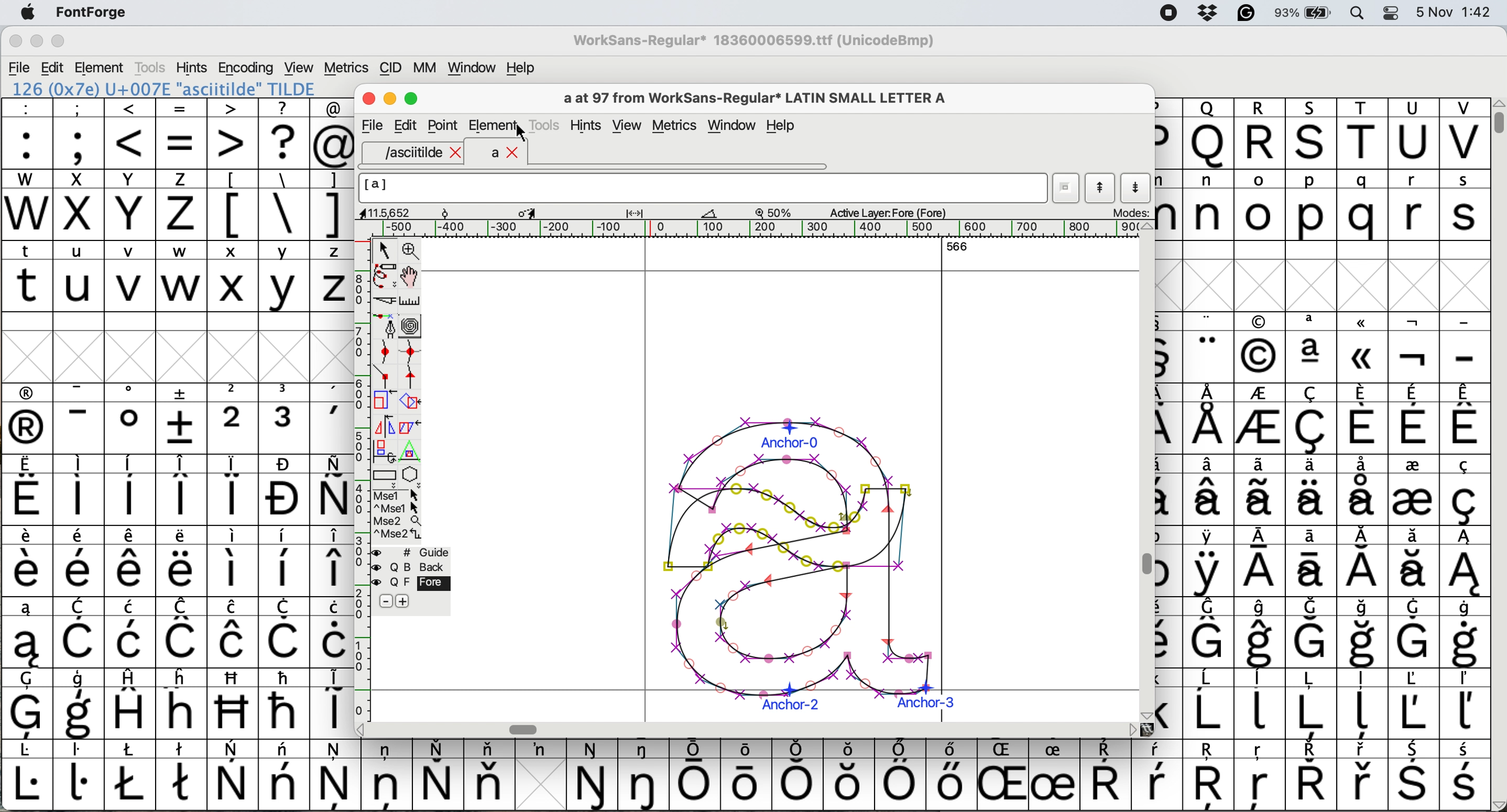 This screenshot has height=812, width=1507. I want to click on glyph copied and pasted, so click(787, 528).